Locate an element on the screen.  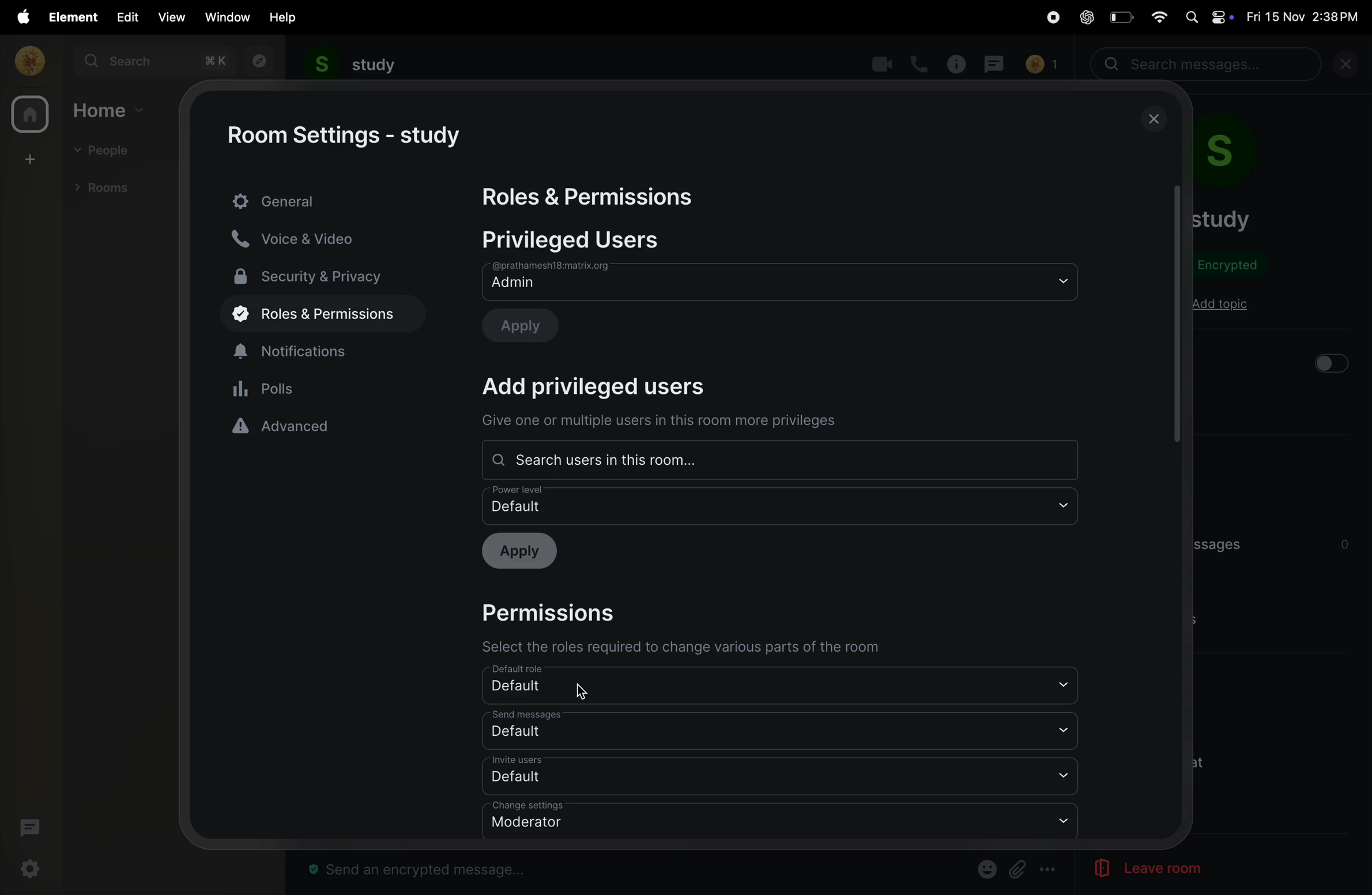
room settings -study is located at coordinates (348, 136).